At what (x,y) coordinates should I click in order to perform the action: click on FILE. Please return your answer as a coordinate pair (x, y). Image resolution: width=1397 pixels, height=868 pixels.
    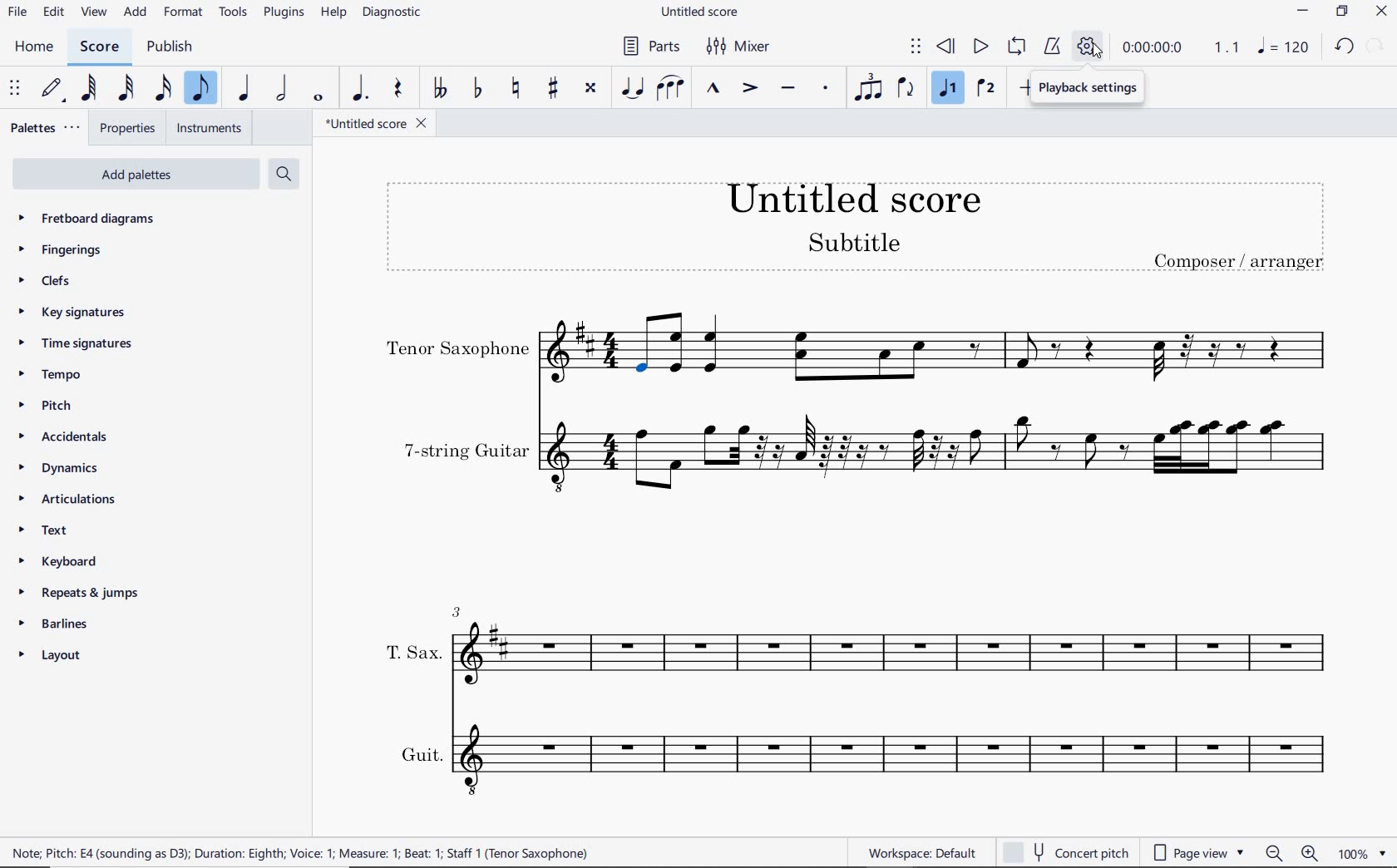
    Looking at the image, I should click on (18, 14).